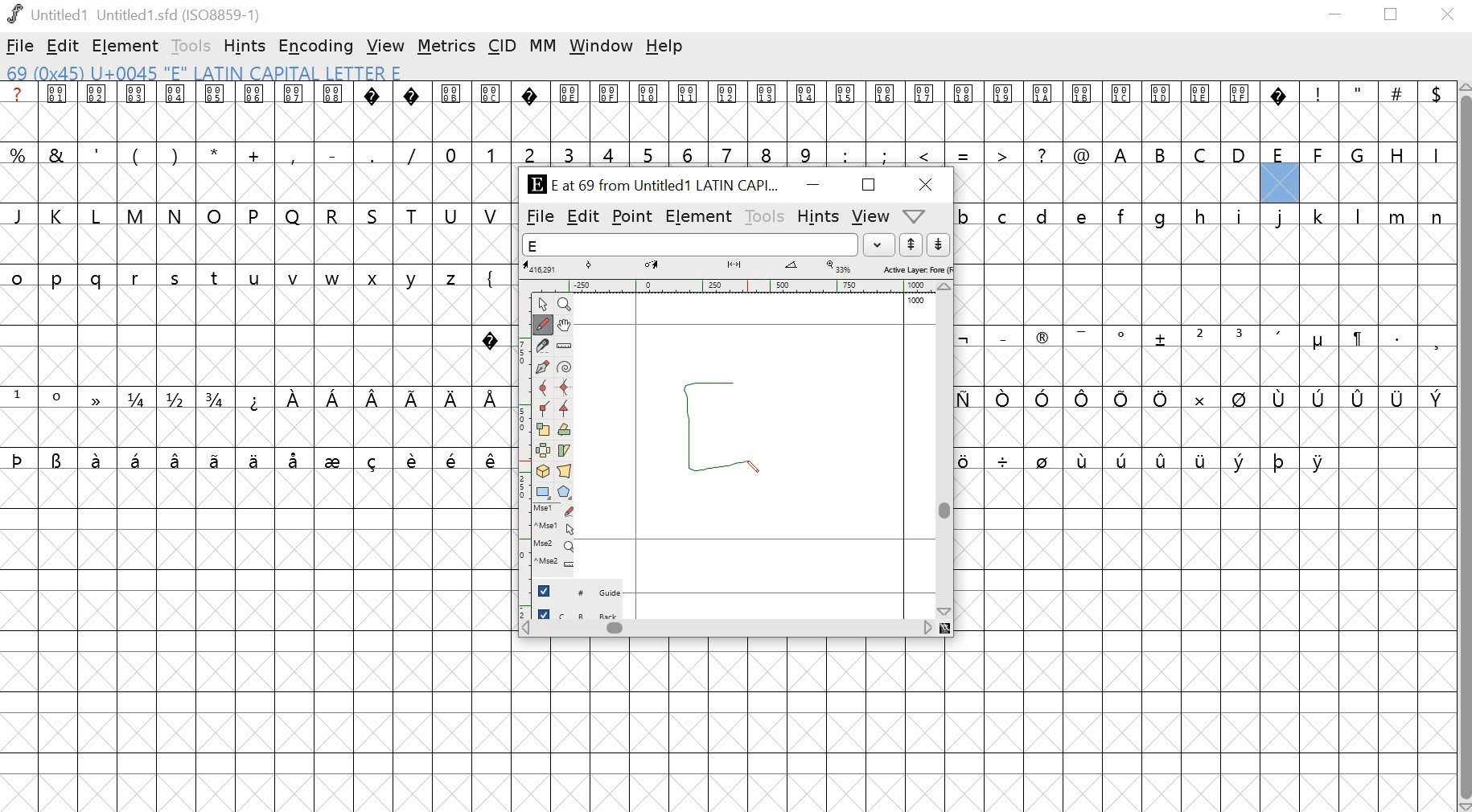 The height and width of the screenshot is (812, 1472). Describe the element at coordinates (726, 420) in the screenshot. I see `drawing glyph` at that location.